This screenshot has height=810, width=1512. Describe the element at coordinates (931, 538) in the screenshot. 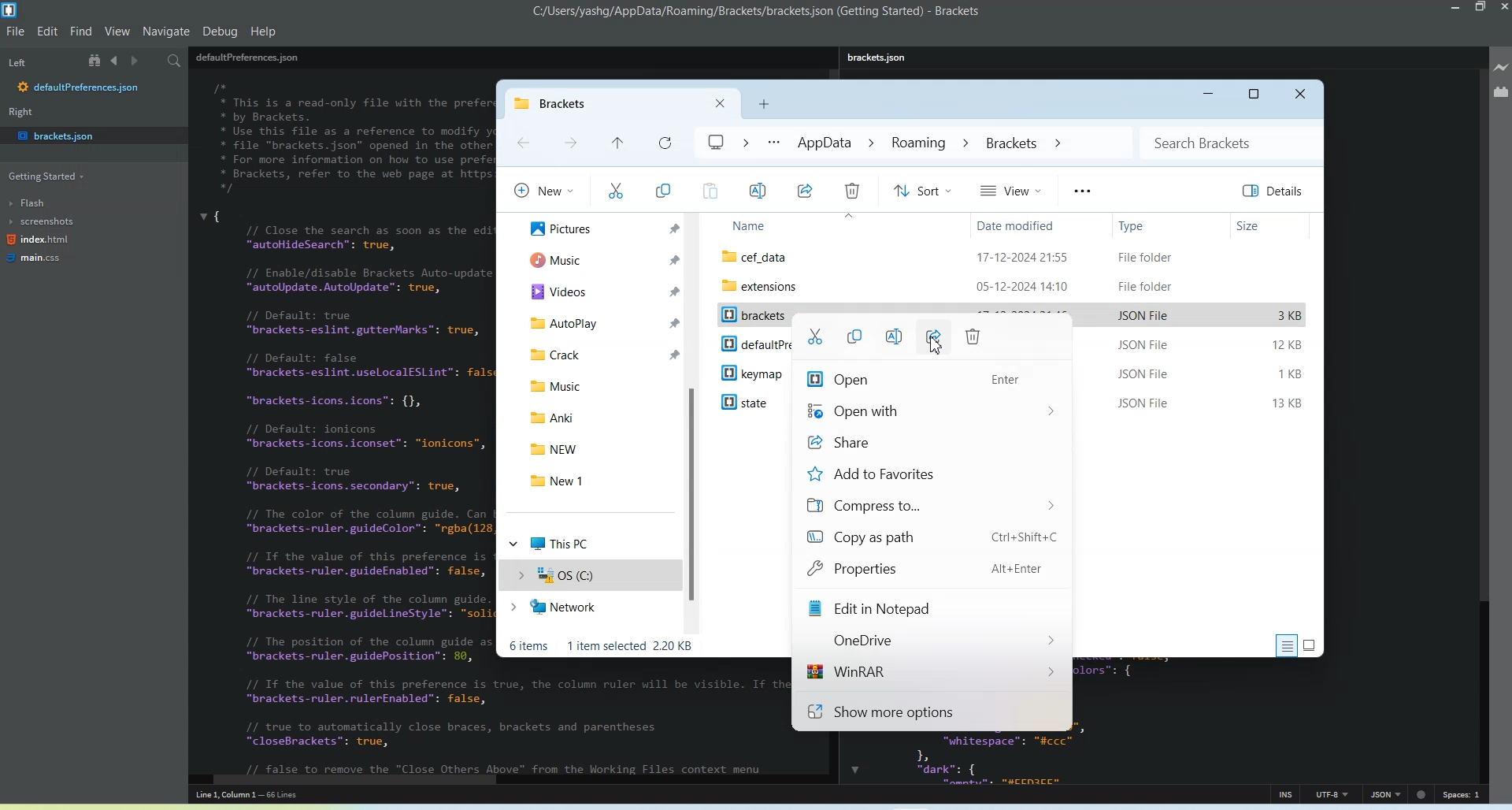

I see `Copy as path` at that location.